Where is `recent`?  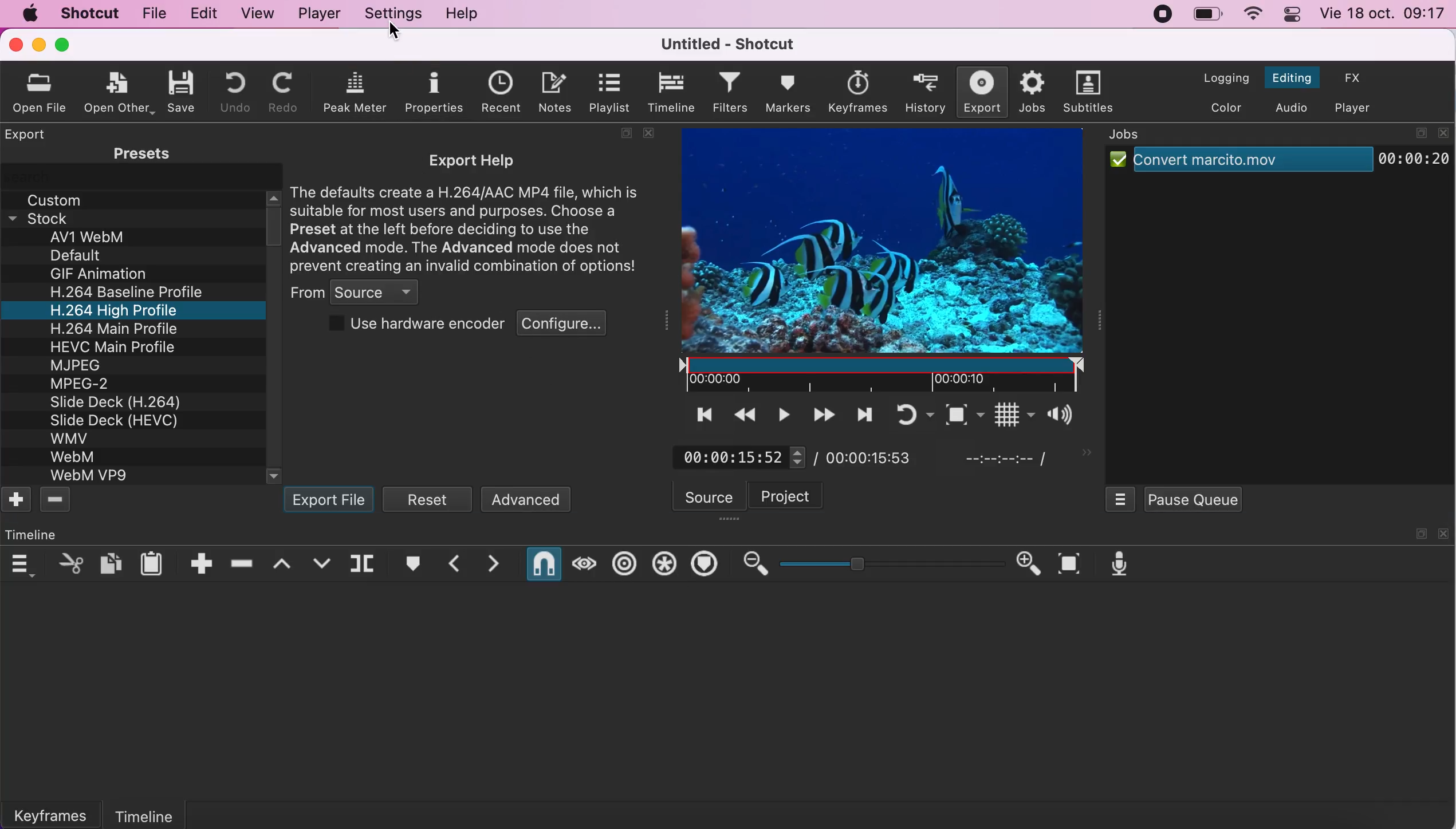 recent is located at coordinates (495, 93).